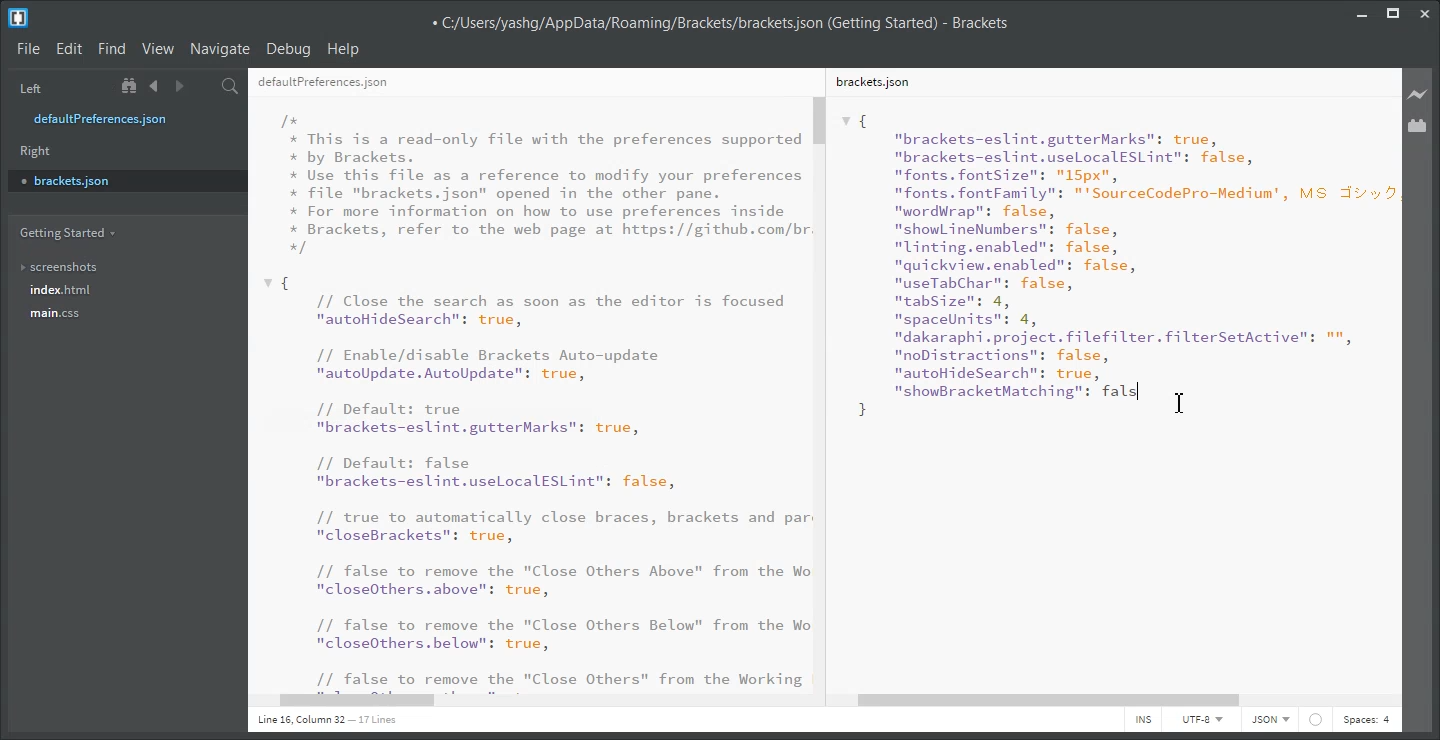 The height and width of the screenshot is (740, 1440). What do you see at coordinates (36, 151) in the screenshot?
I see `Right` at bounding box center [36, 151].